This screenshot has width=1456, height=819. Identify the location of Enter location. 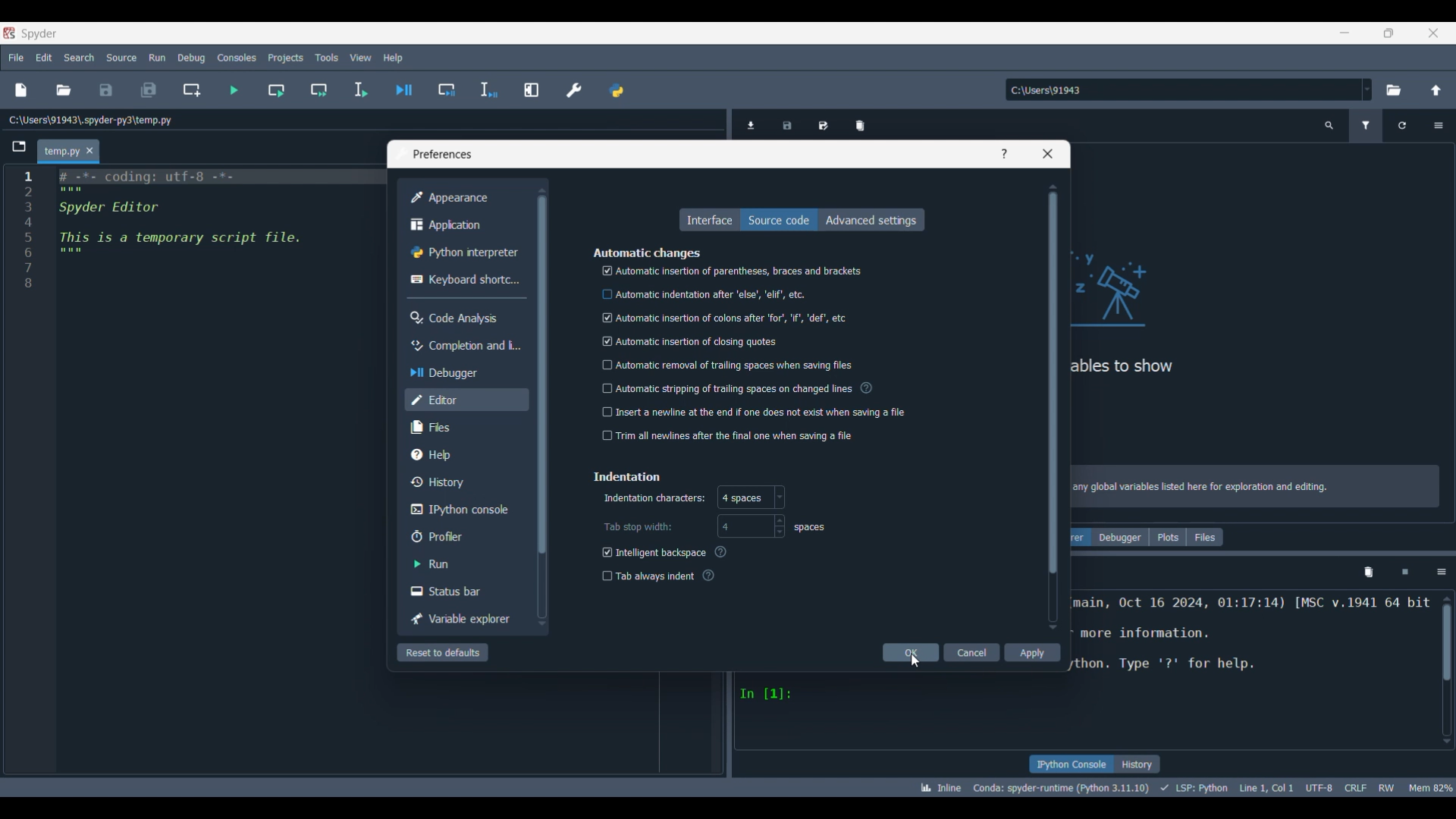
(1182, 89).